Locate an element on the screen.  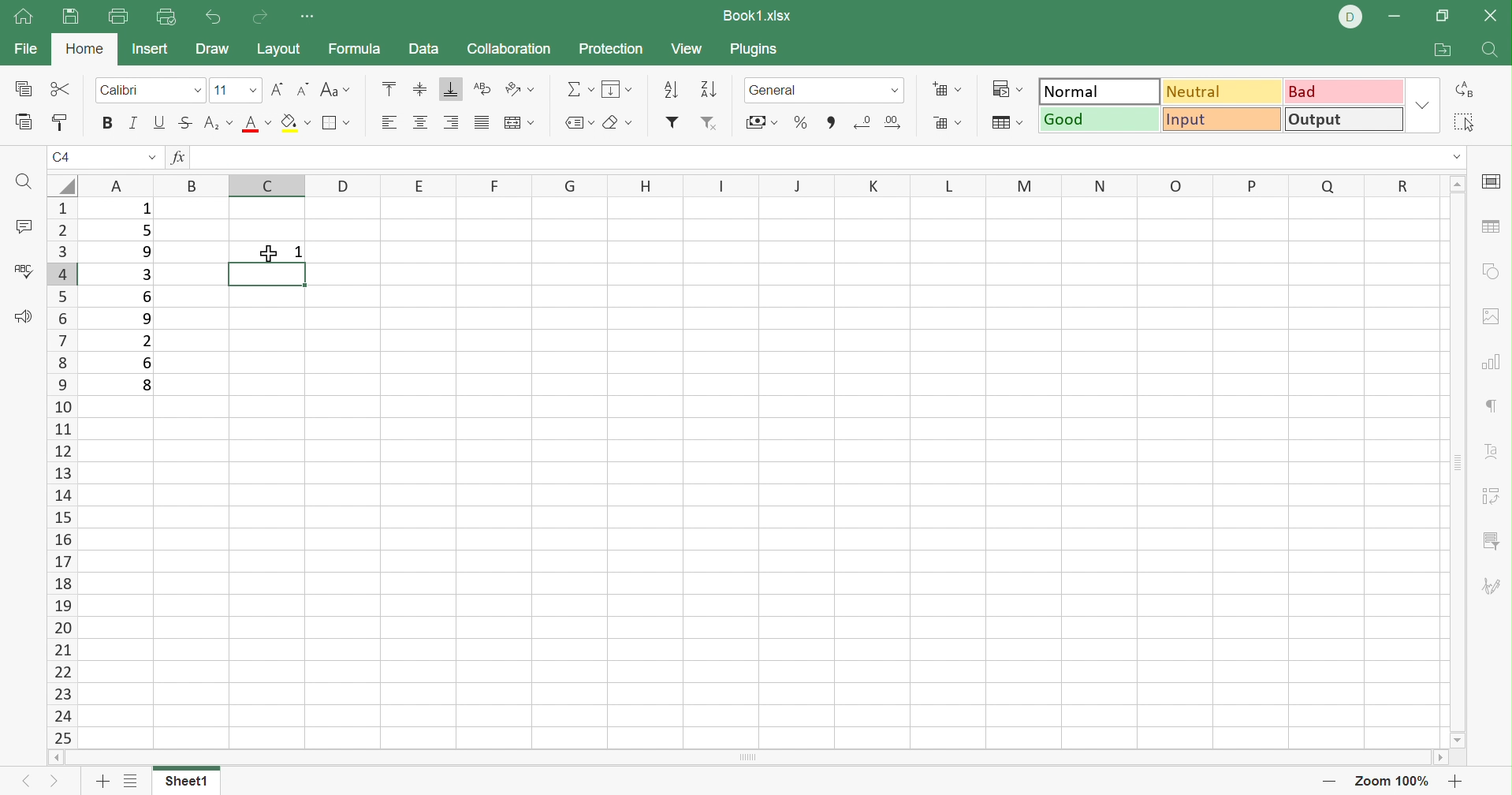
Paragraph settings is located at coordinates (1494, 406).